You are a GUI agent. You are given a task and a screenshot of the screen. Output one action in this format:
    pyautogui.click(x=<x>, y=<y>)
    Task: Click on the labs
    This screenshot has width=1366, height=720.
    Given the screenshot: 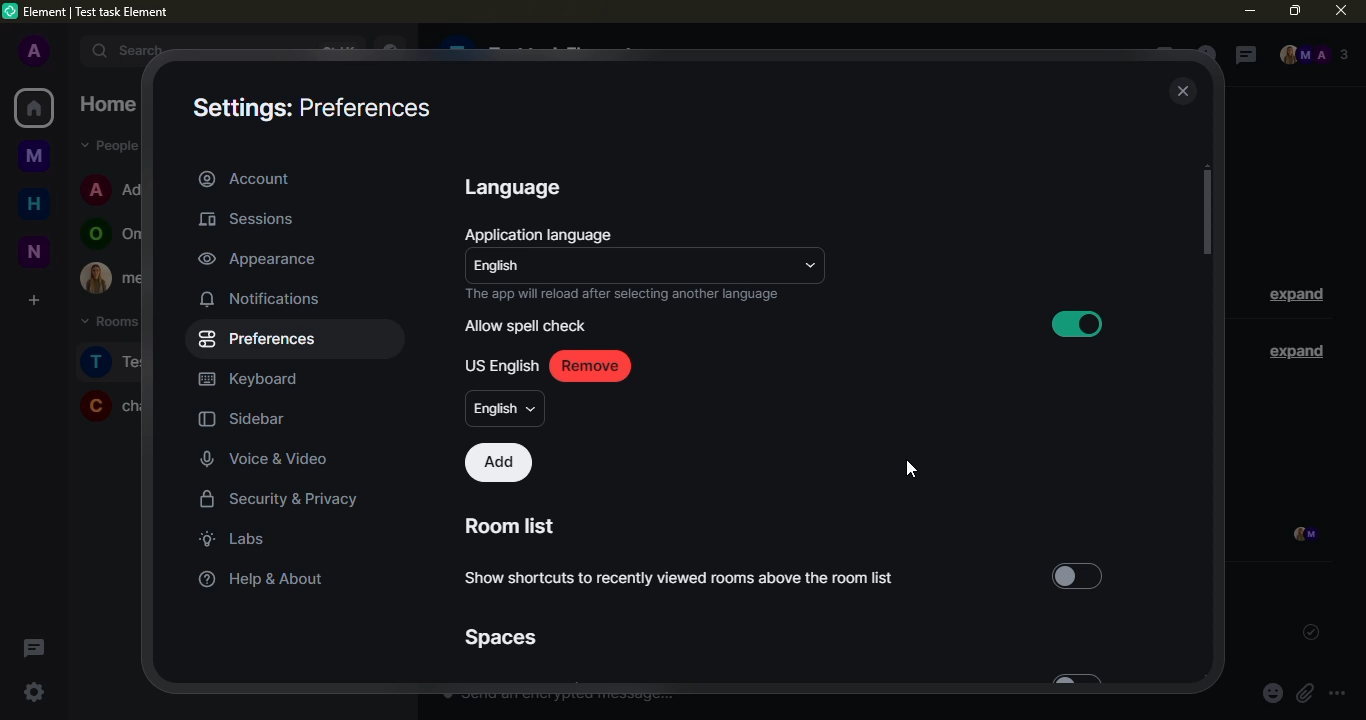 What is the action you would take?
    pyautogui.click(x=232, y=538)
    